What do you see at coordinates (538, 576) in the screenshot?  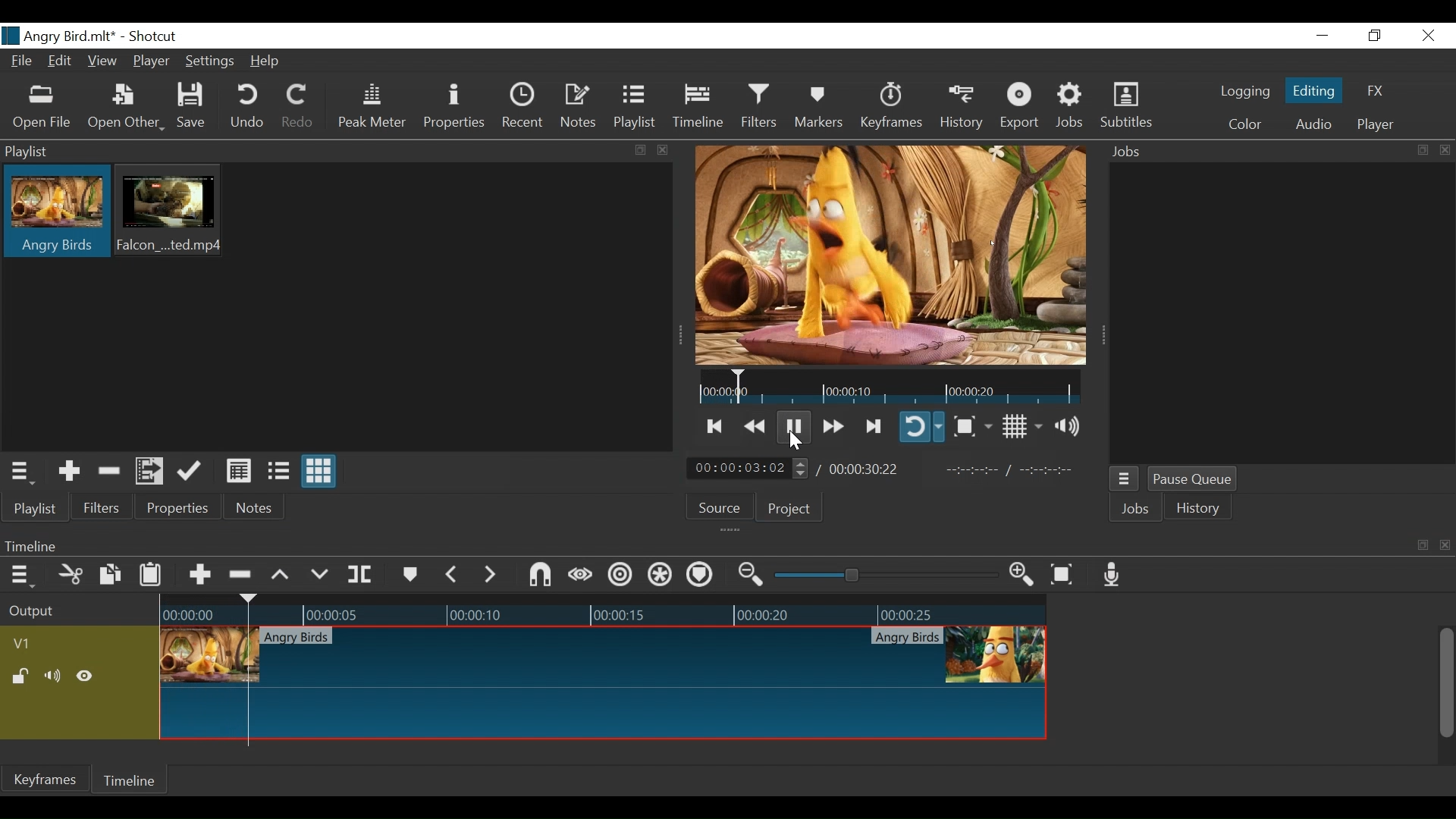 I see `Snap` at bounding box center [538, 576].